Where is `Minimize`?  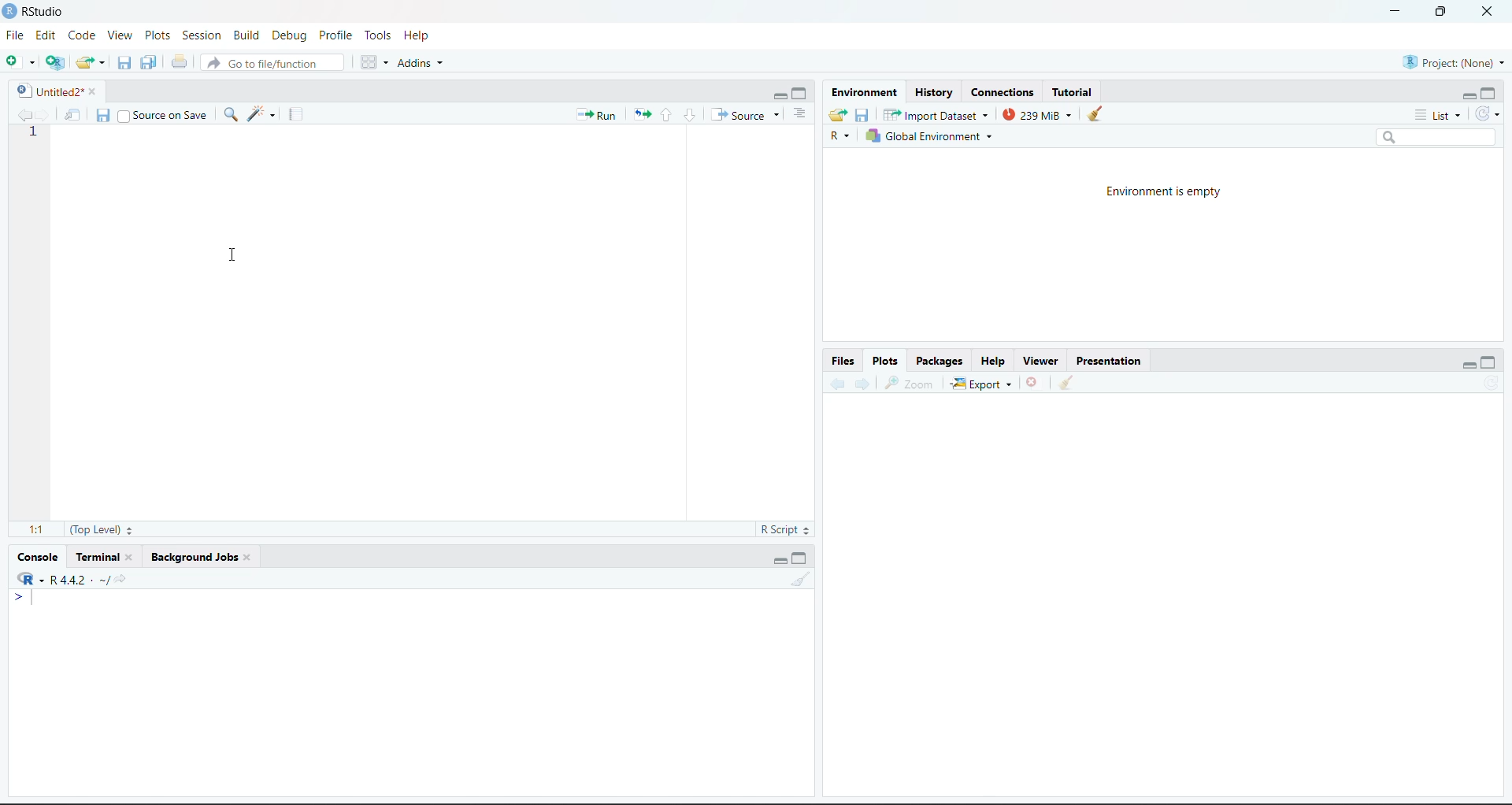
Minimize is located at coordinates (1467, 95).